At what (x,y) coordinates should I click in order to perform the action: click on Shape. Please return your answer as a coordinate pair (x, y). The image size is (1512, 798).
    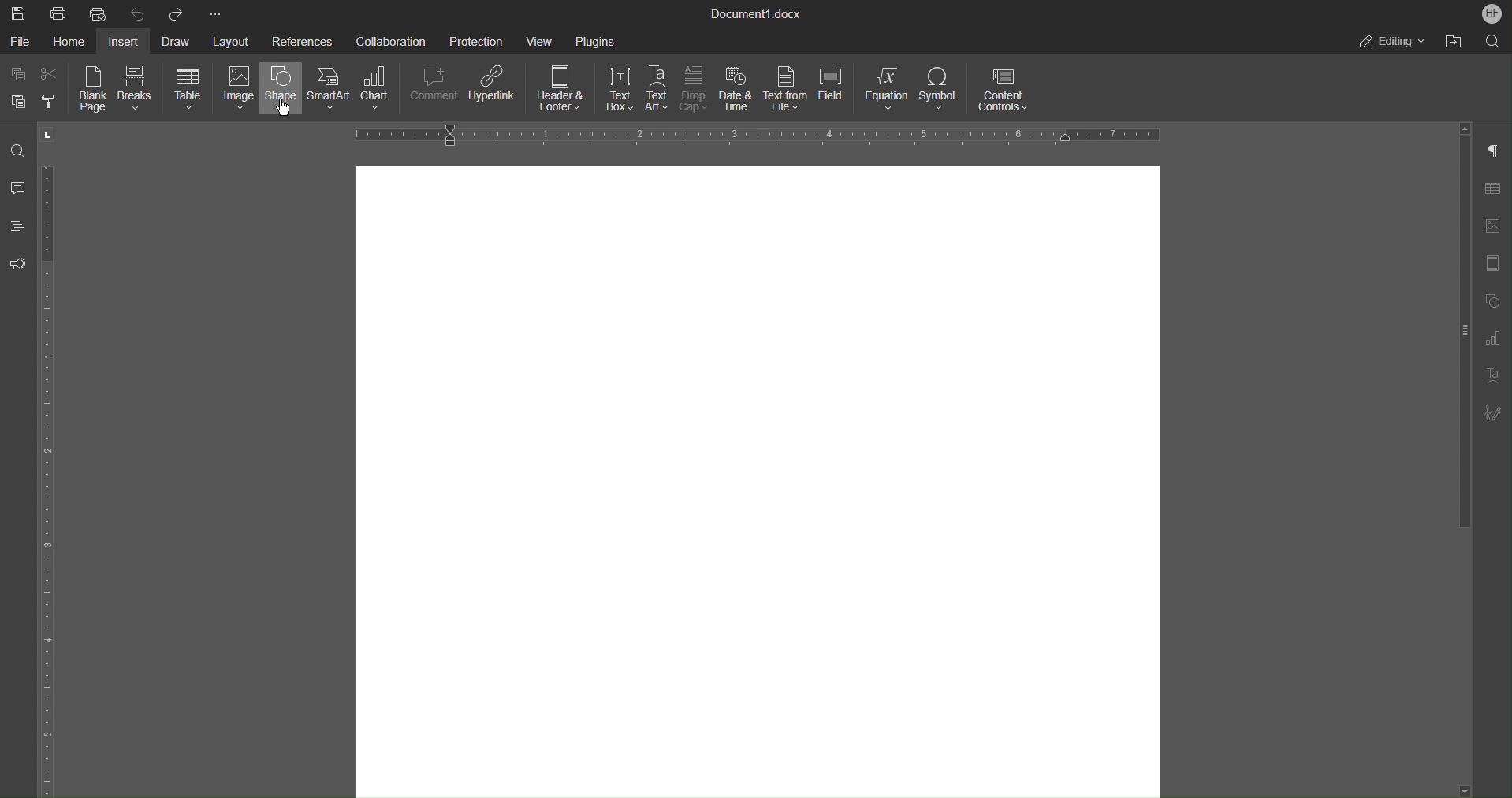
    Looking at the image, I should click on (281, 91).